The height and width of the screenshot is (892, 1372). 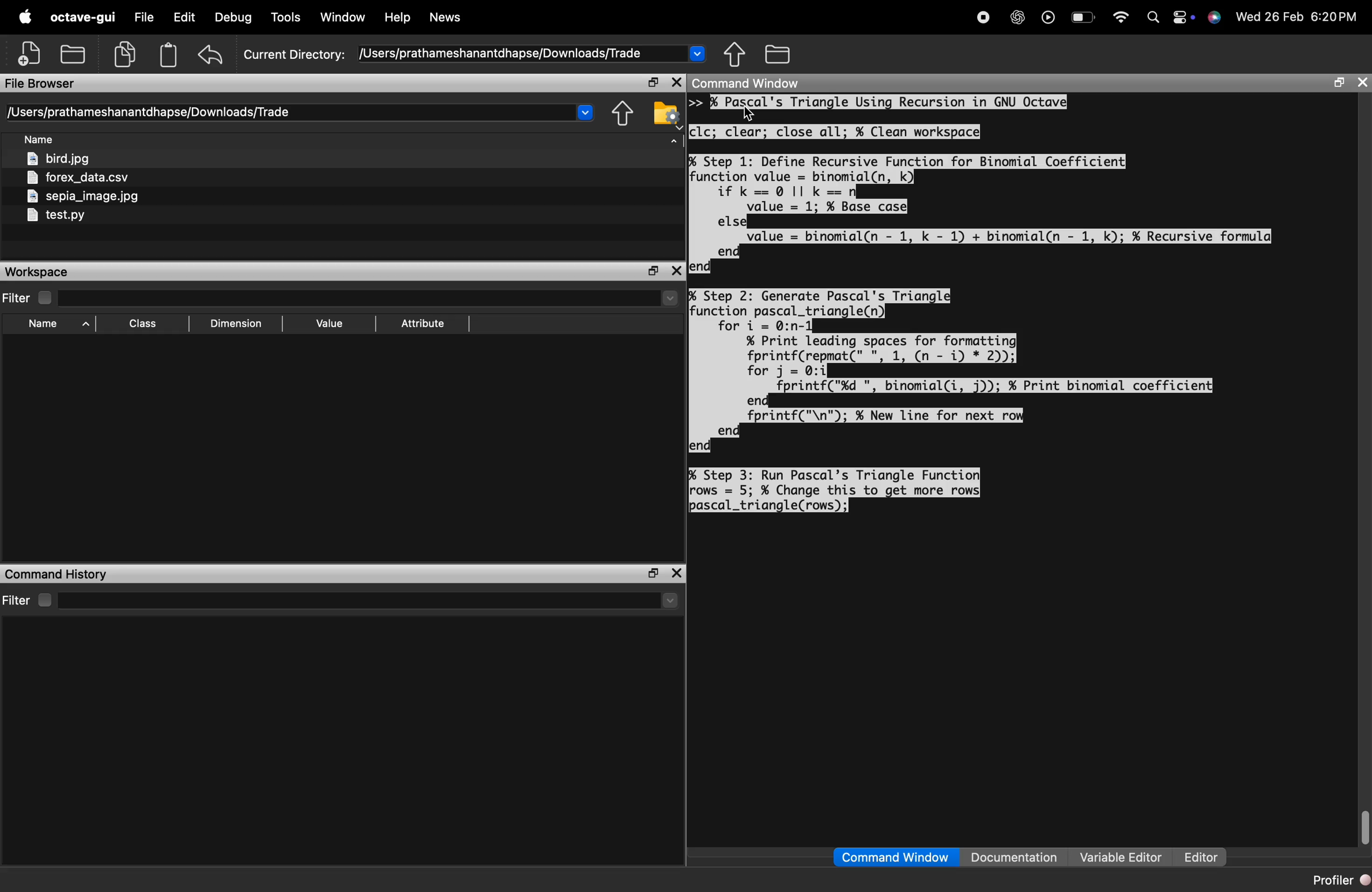 What do you see at coordinates (499, 54) in the screenshot?
I see `/Users/prathameshanantdhapse/Downloads/Trade` at bounding box center [499, 54].